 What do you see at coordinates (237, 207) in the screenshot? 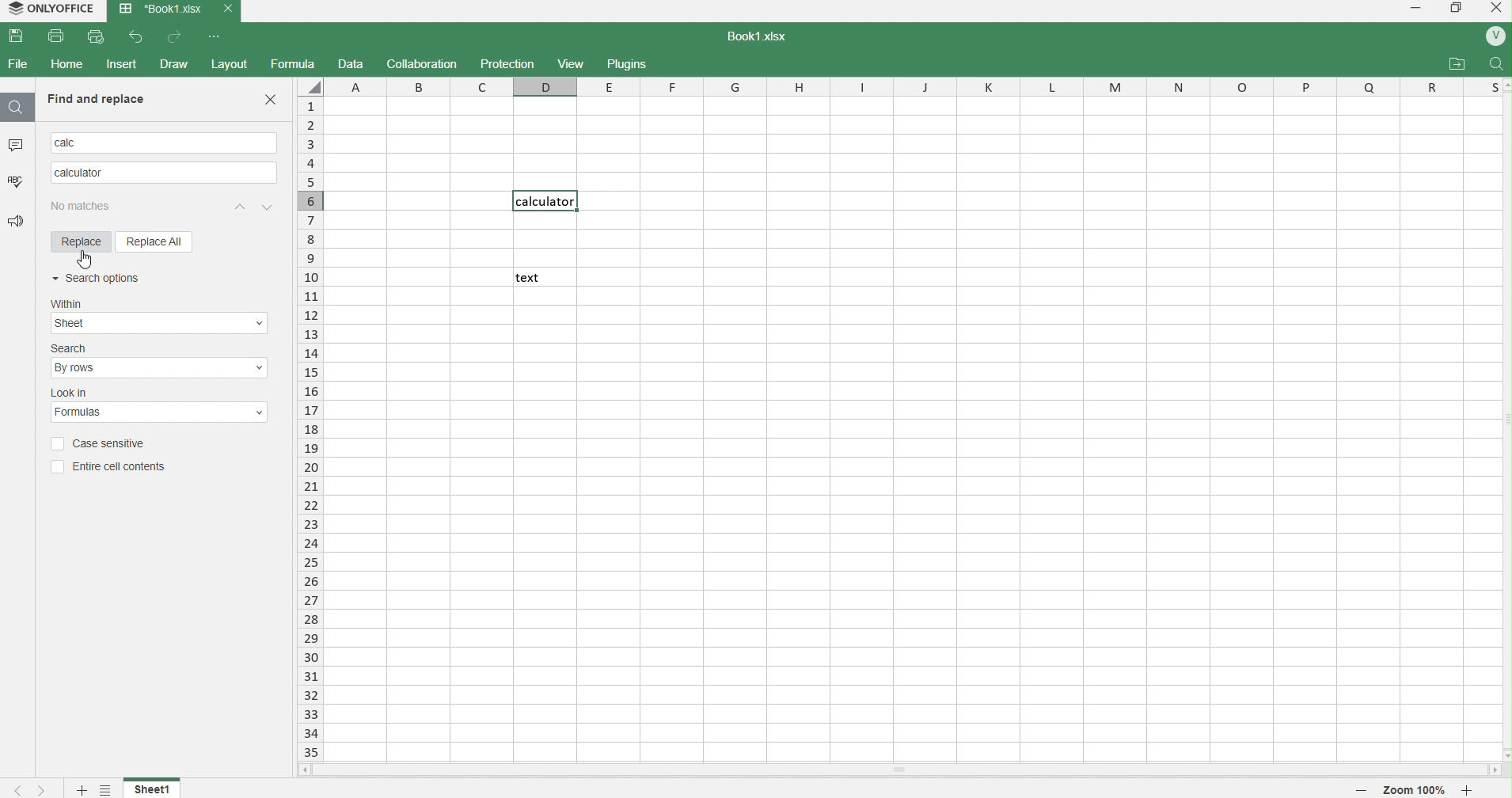
I see `next match` at bounding box center [237, 207].